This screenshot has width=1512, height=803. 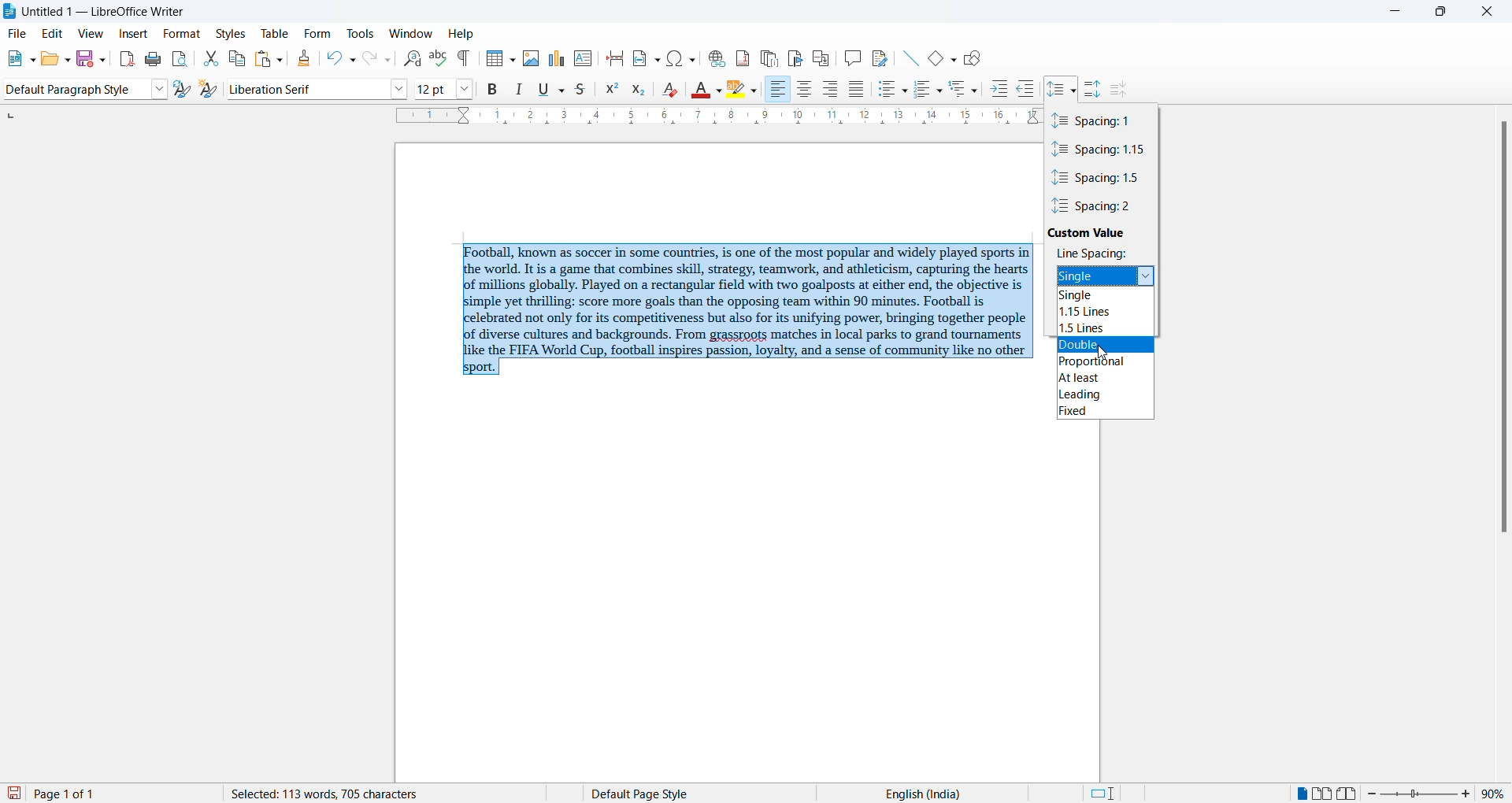 I want to click on basic shapes options, so click(x=951, y=60).